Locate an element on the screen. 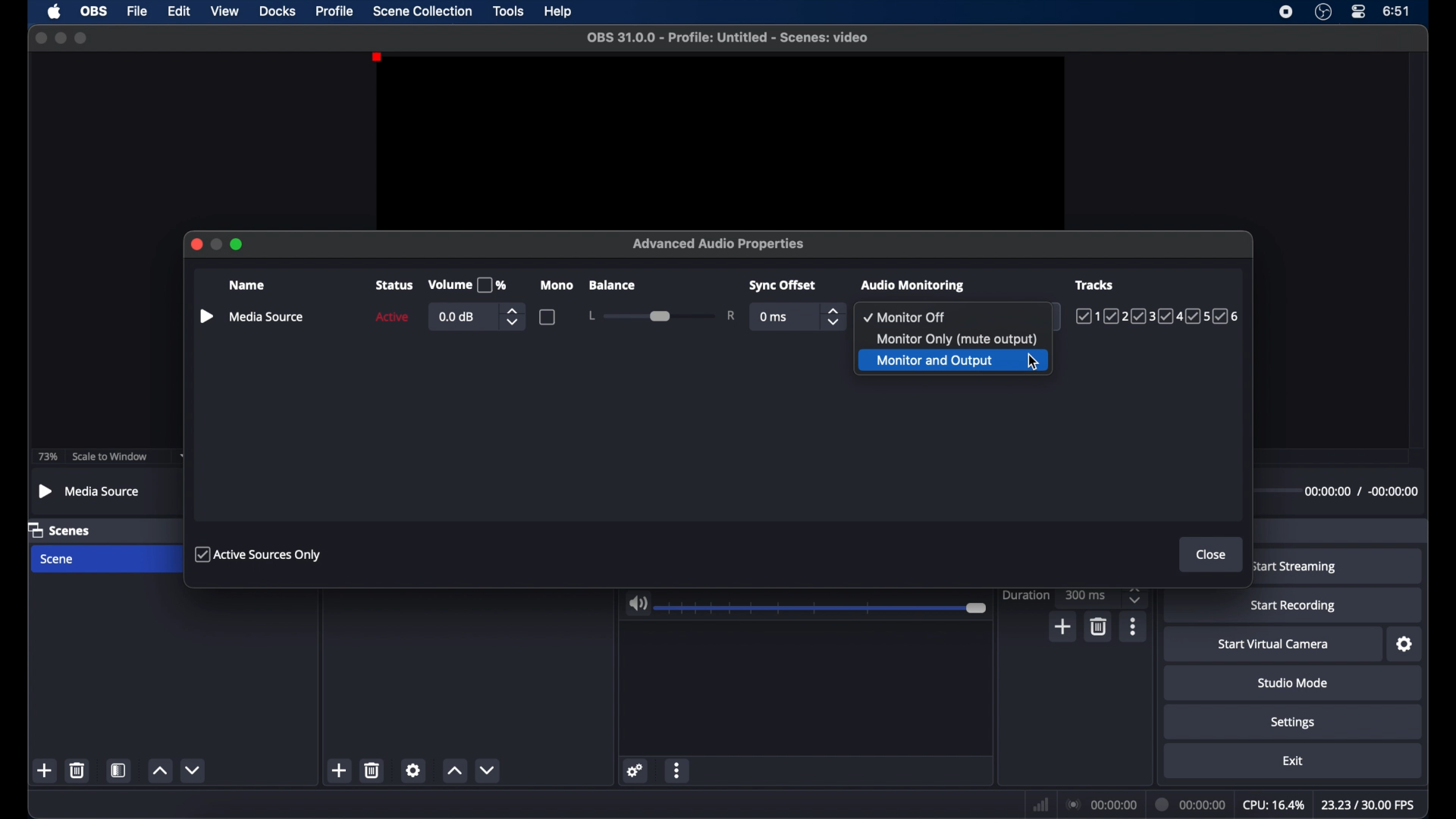 The image size is (1456, 819). increment is located at coordinates (159, 770).